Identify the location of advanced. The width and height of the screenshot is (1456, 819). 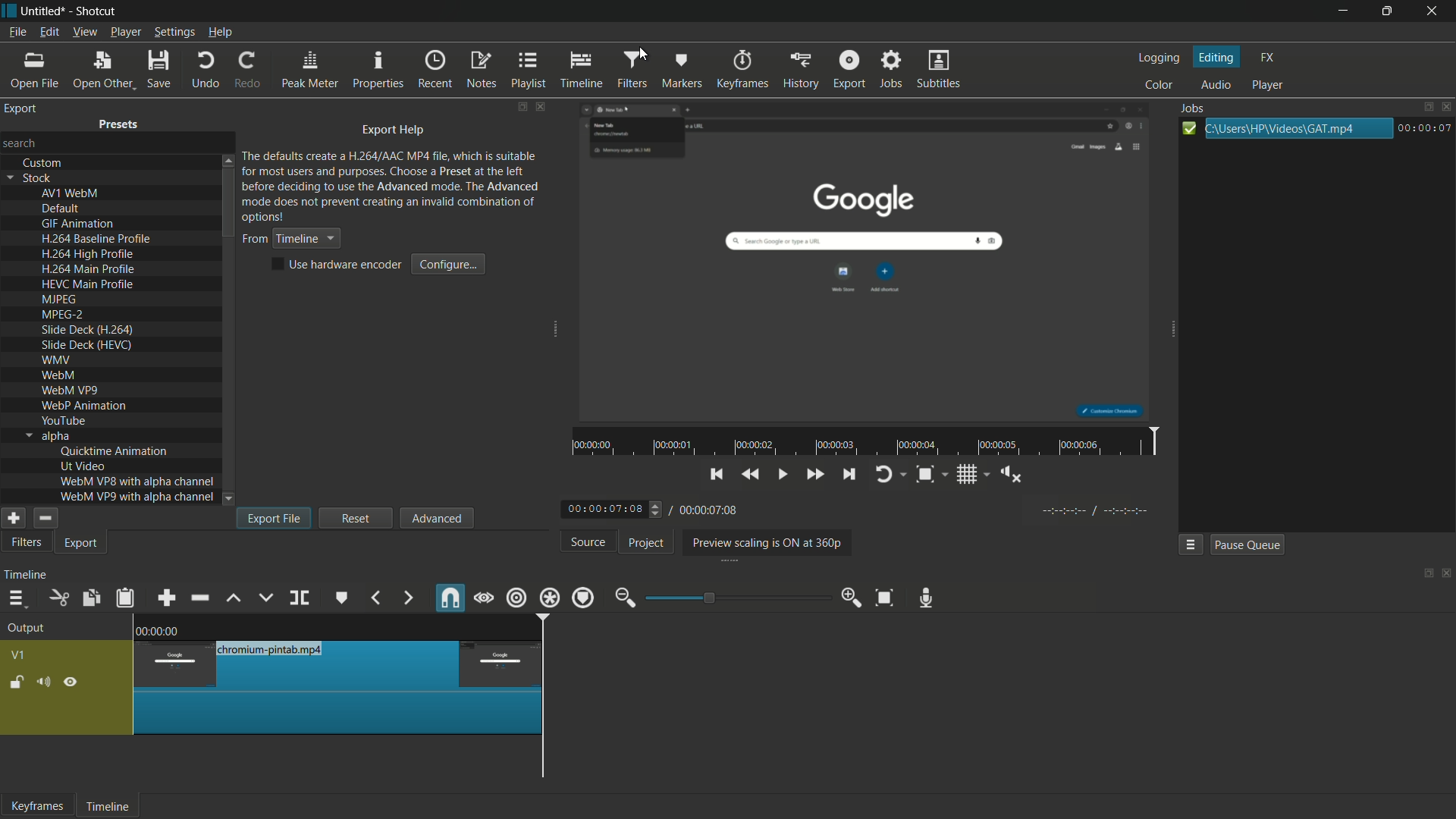
(436, 517).